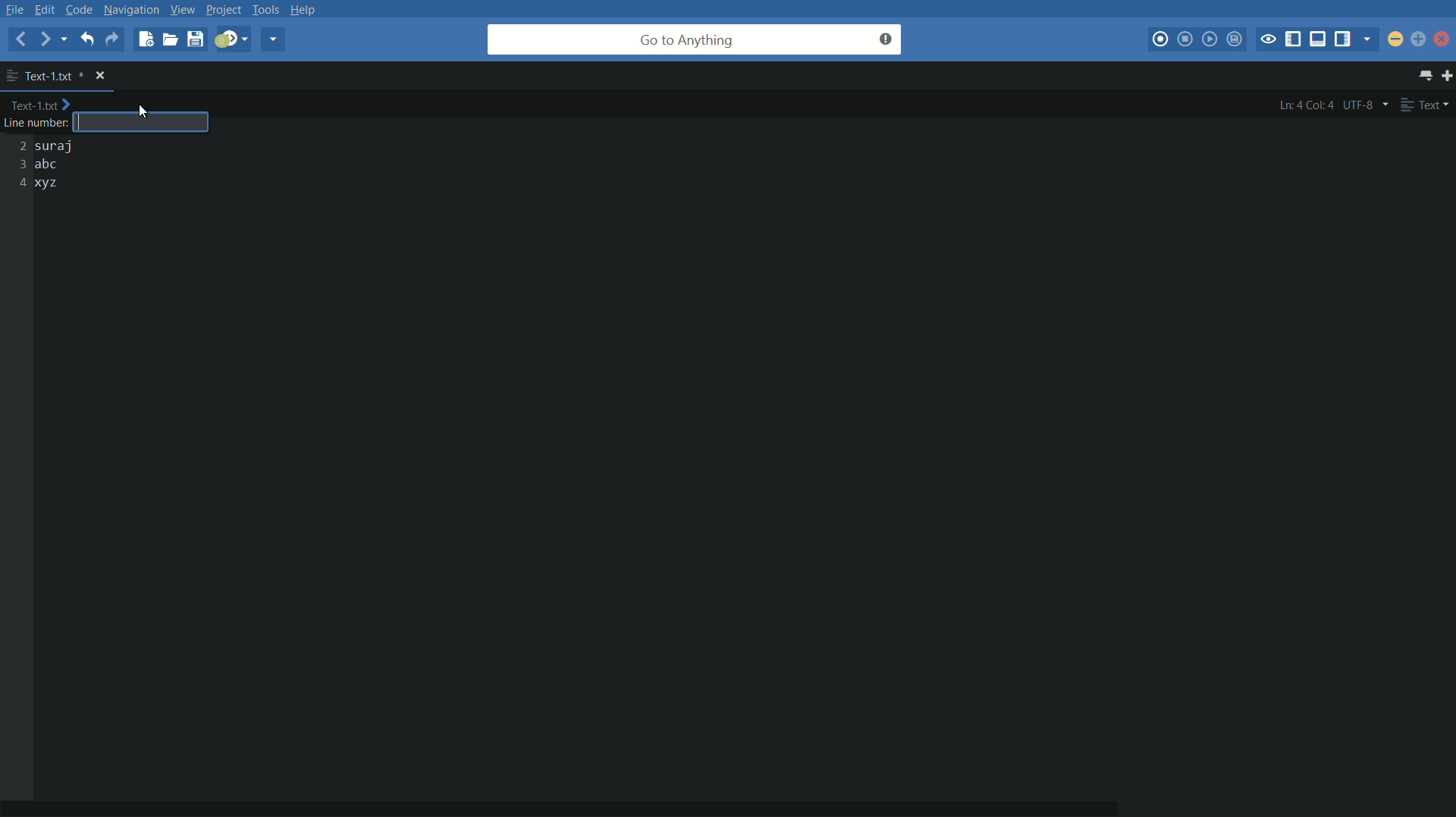  I want to click on navigation, so click(131, 9).